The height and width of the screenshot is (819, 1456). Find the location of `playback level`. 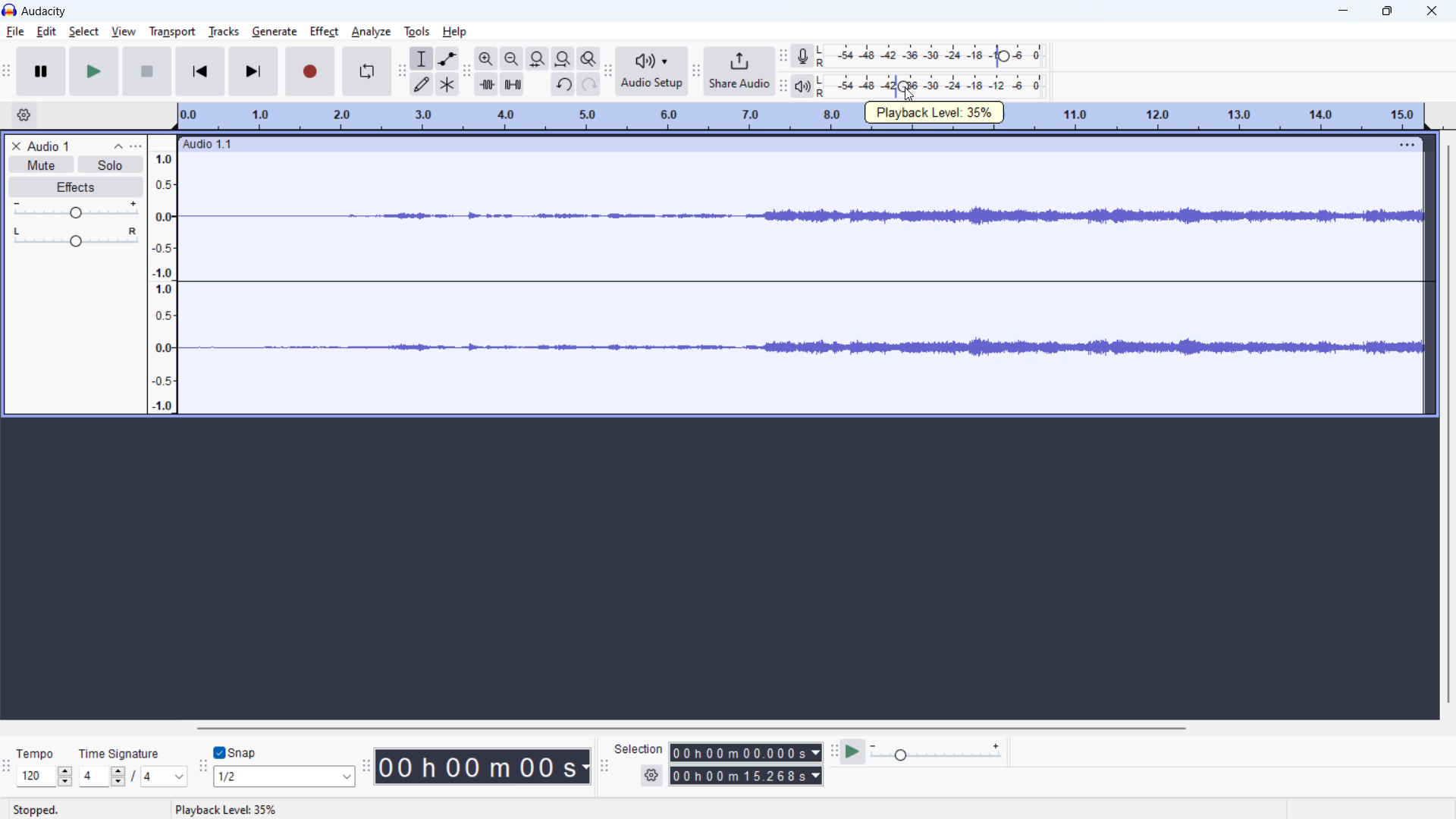

playback level is located at coordinates (930, 85).